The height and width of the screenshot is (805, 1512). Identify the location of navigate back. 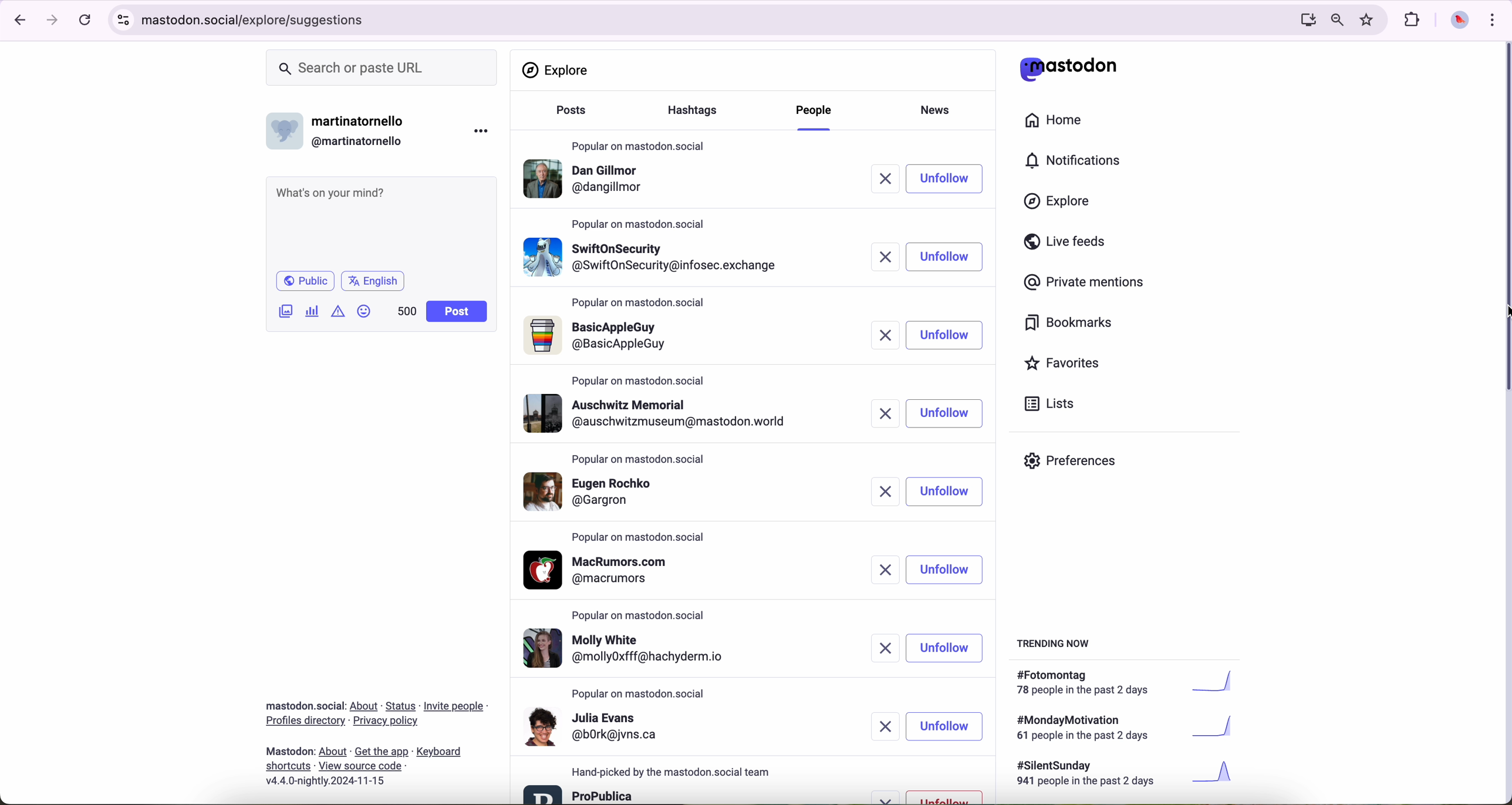
(16, 19).